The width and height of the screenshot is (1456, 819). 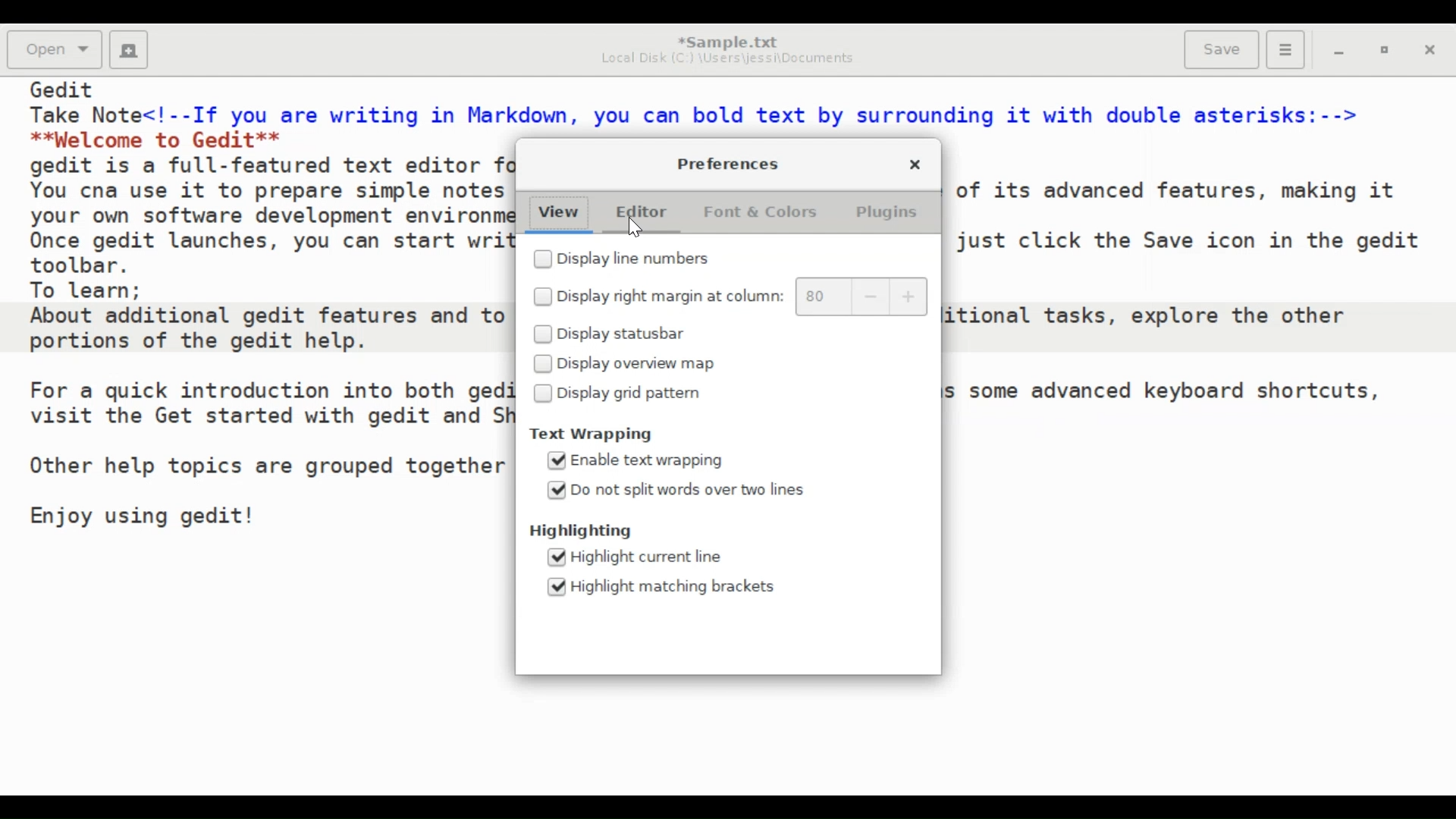 What do you see at coordinates (1222, 48) in the screenshot?
I see `Save` at bounding box center [1222, 48].